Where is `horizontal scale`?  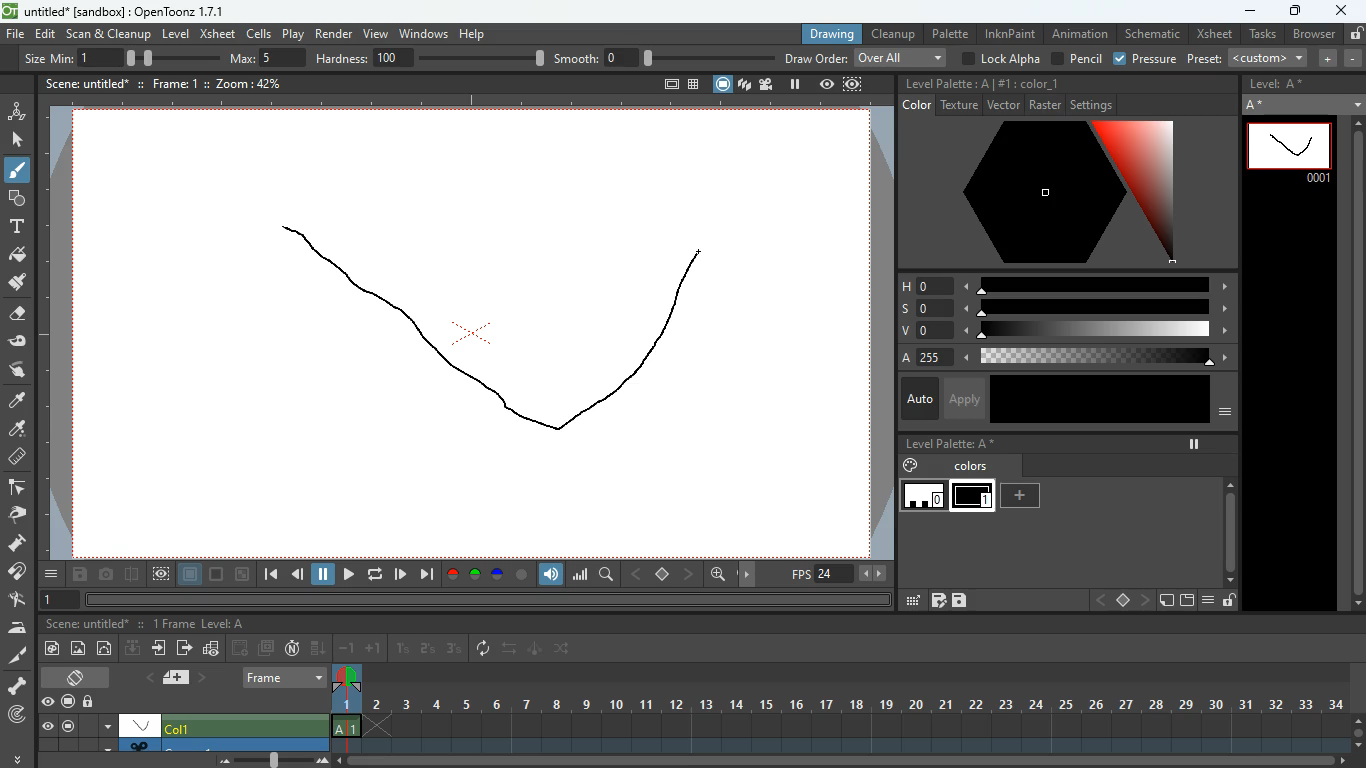
horizontal scale is located at coordinates (461, 104).